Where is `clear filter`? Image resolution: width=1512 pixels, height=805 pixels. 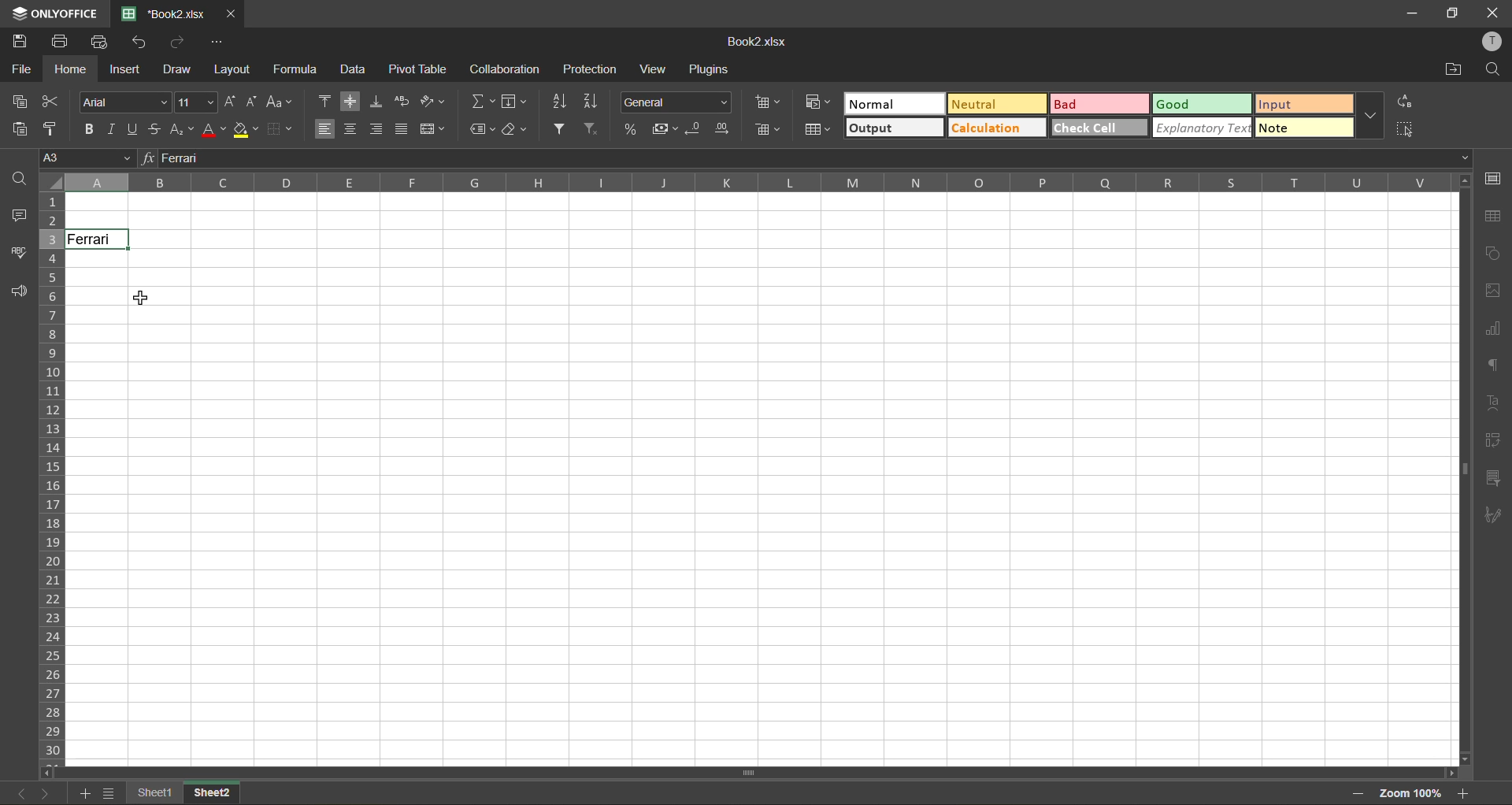
clear filter is located at coordinates (593, 129).